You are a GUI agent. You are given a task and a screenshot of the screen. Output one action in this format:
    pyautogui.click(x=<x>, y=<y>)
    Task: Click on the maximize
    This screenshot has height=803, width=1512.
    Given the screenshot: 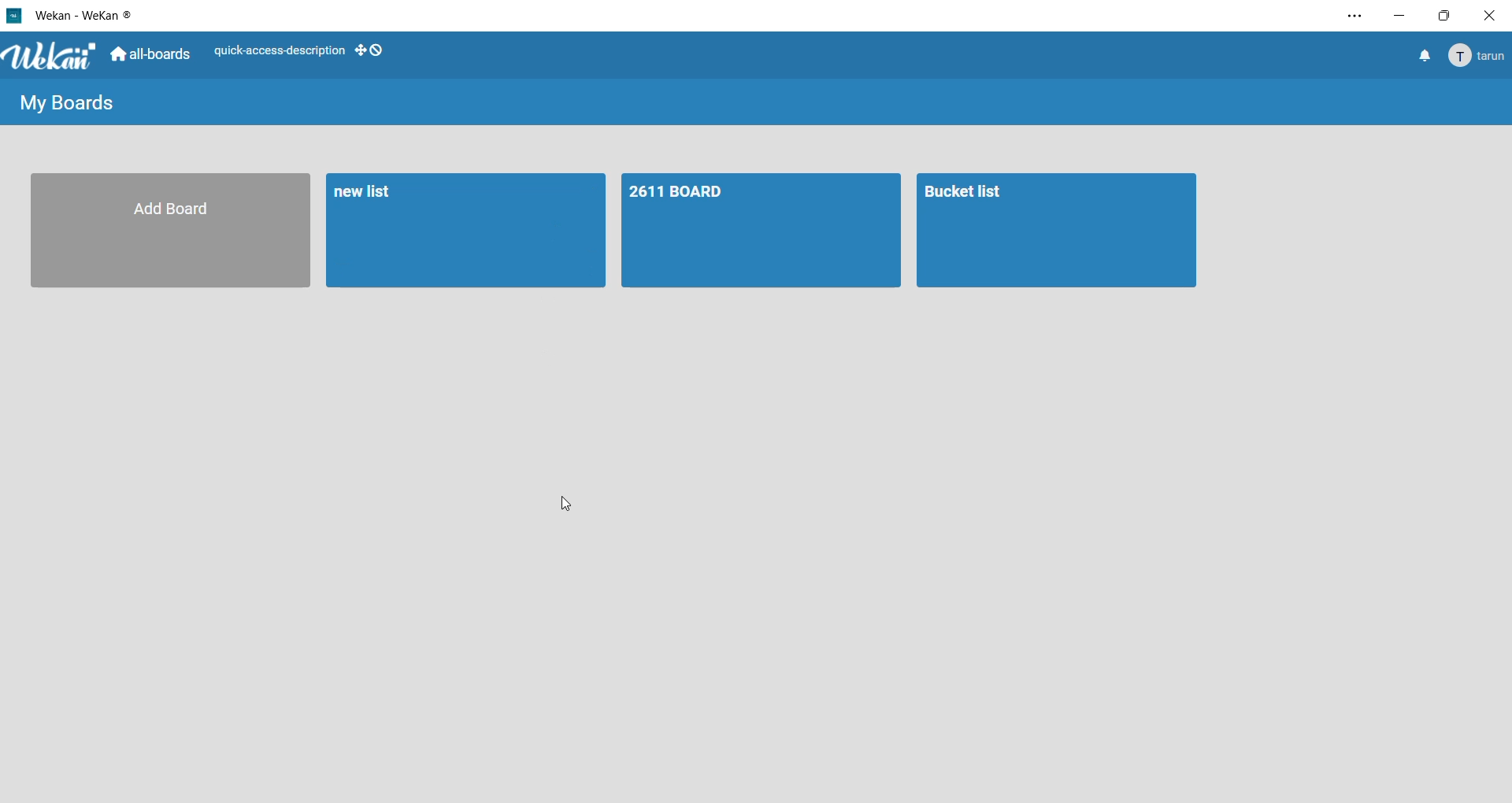 What is the action you would take?
    pyautogui.click(x=1446, y=16)
    